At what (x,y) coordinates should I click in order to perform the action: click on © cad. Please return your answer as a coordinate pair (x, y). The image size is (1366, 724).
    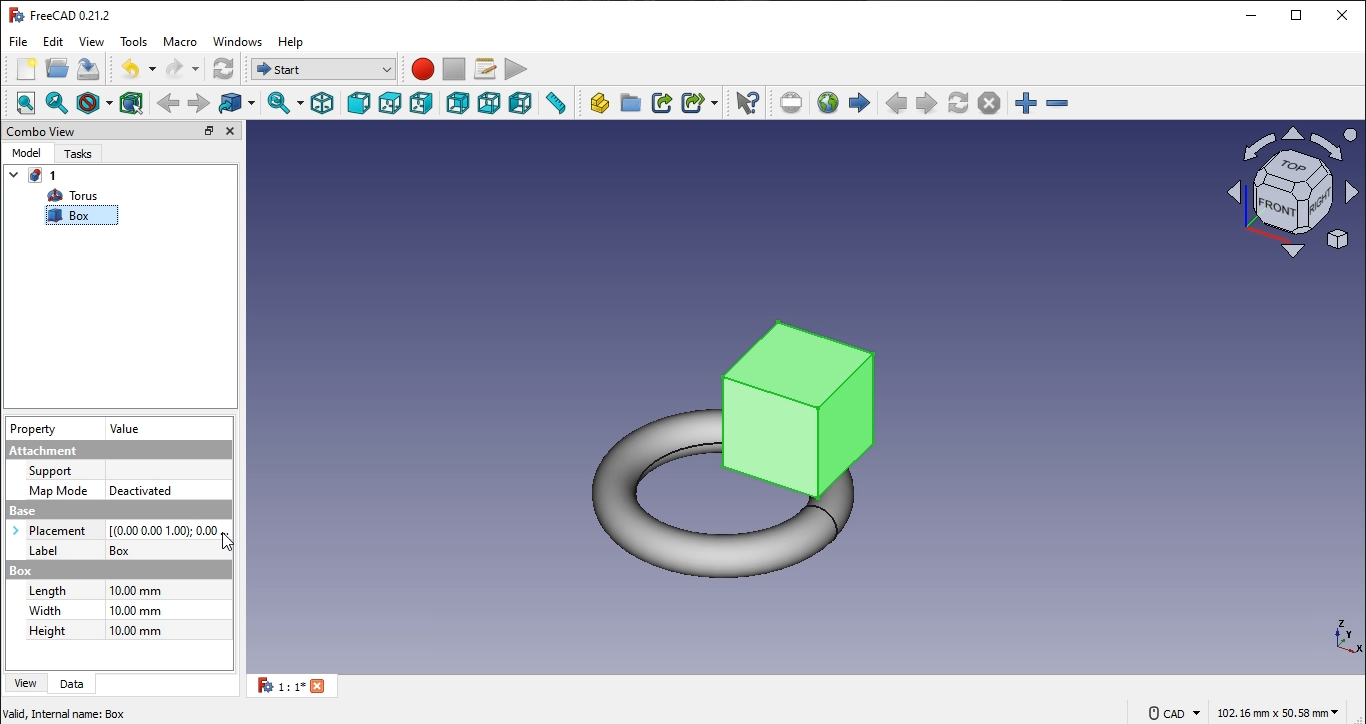
    Looking at the image, I should click on (1169, 711).